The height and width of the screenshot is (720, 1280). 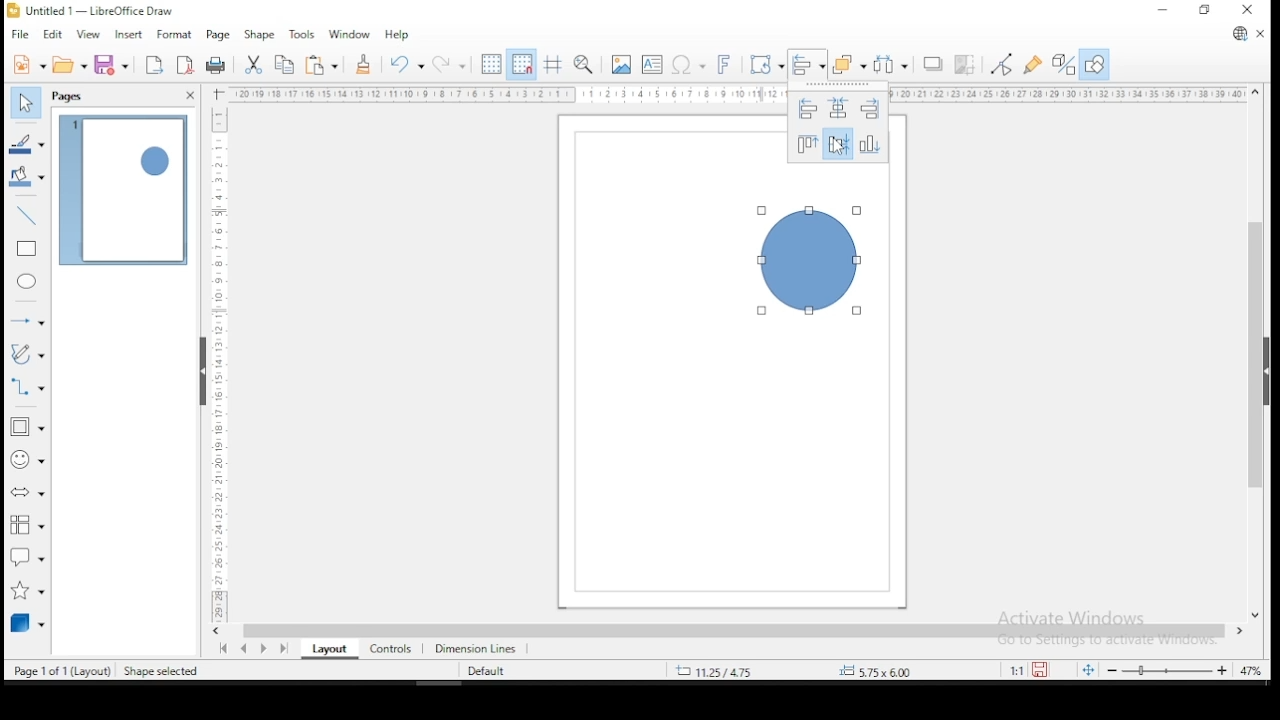 I want to click on default, so click(x=486, y=672).